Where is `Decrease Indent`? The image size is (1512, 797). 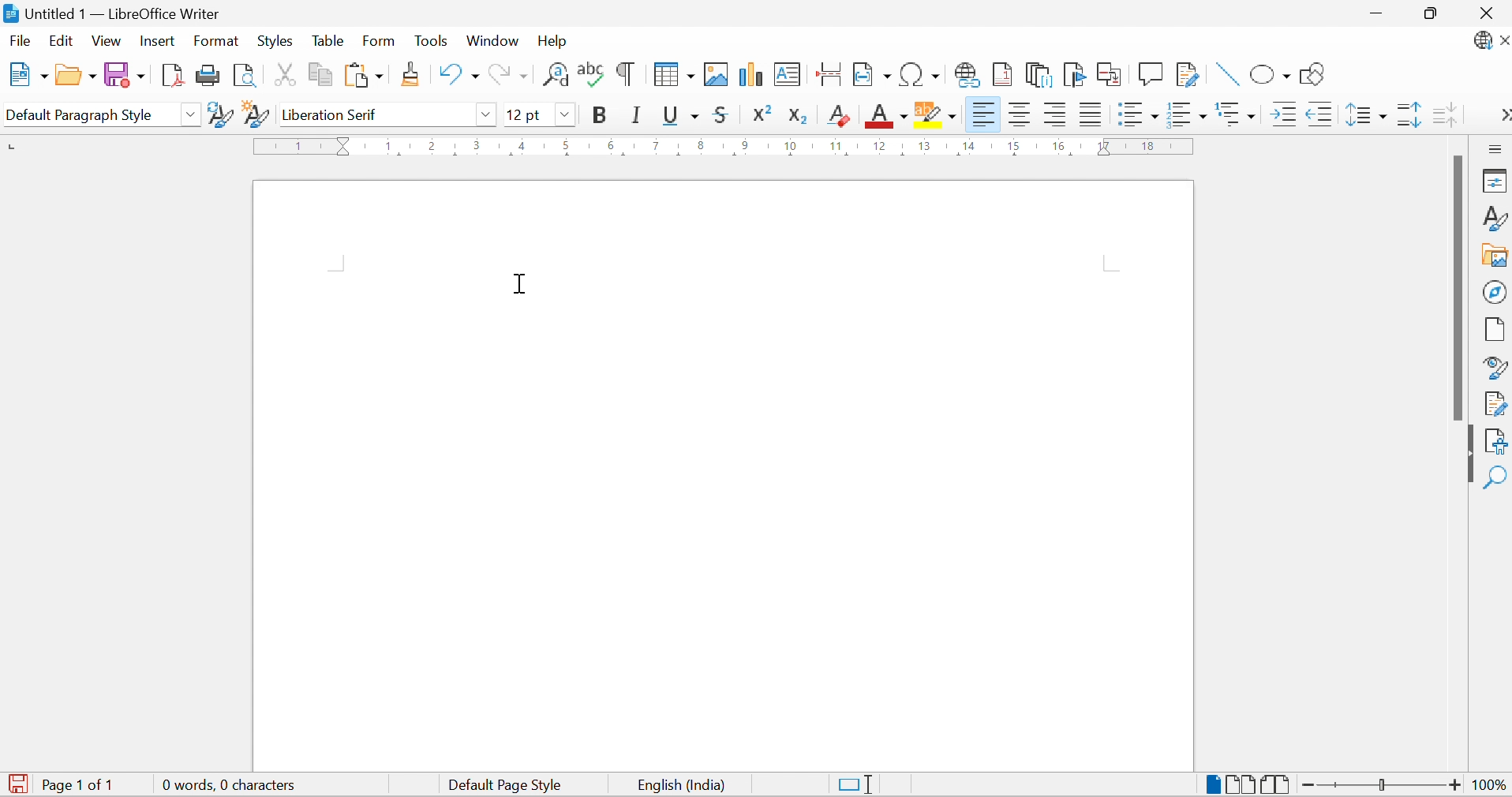 Decrease Indent is located at coordinates (1319, 115).